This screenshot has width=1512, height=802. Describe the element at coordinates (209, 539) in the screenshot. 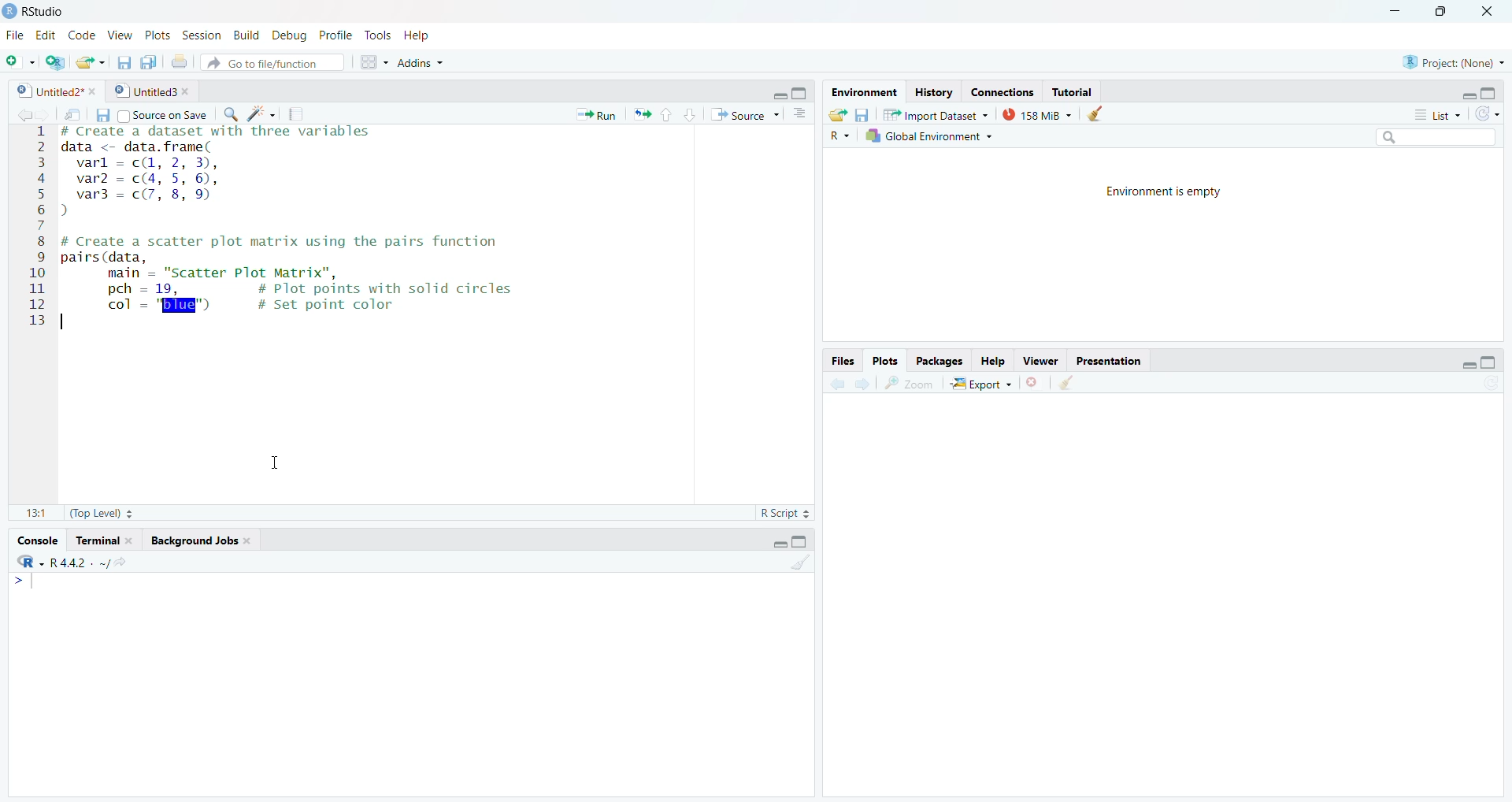

I see `Background Jobs` at that location.